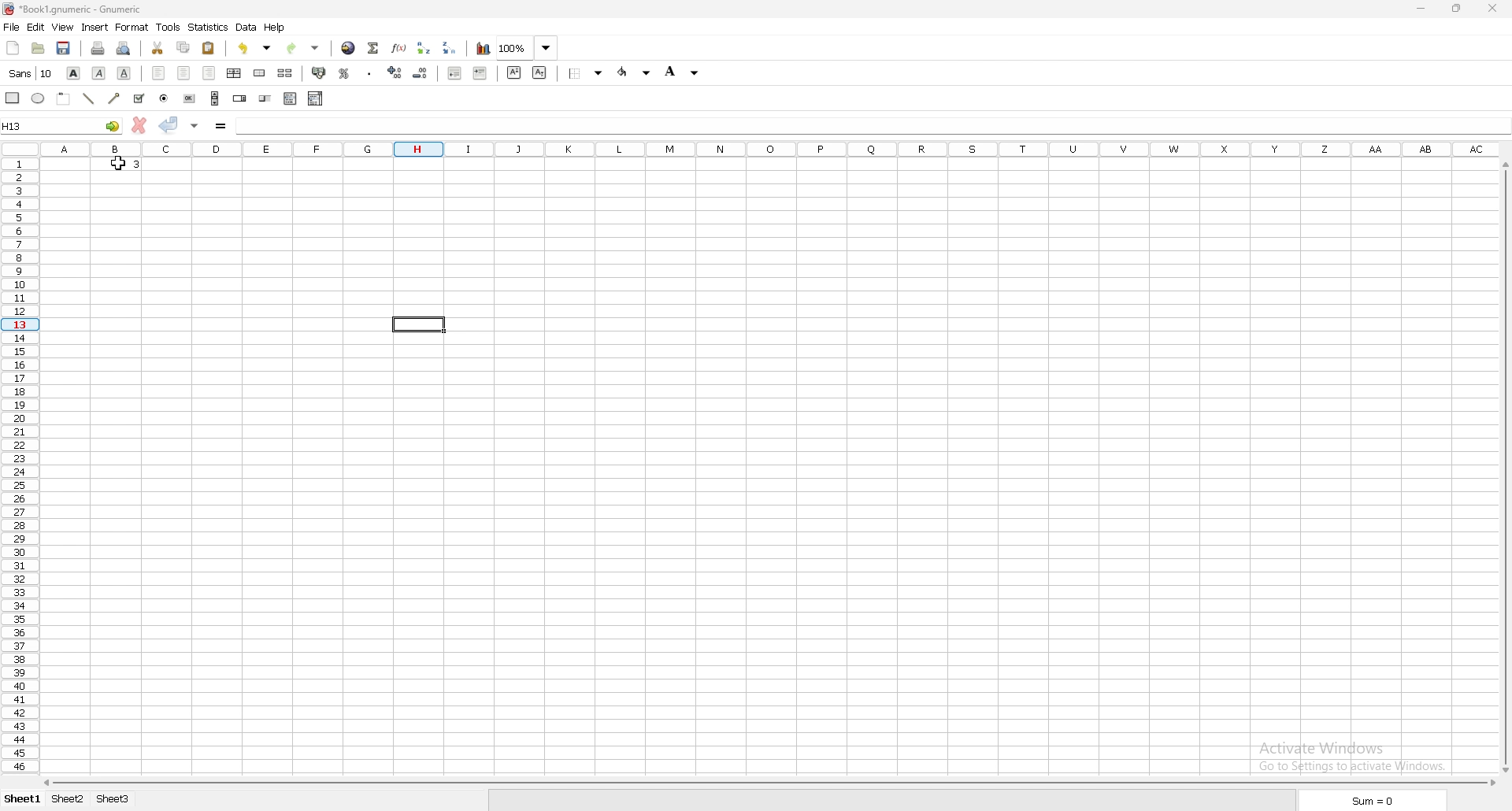 The height and width of the screenshot is (811, 1512). I want to click on radio button, so click(165, 98).